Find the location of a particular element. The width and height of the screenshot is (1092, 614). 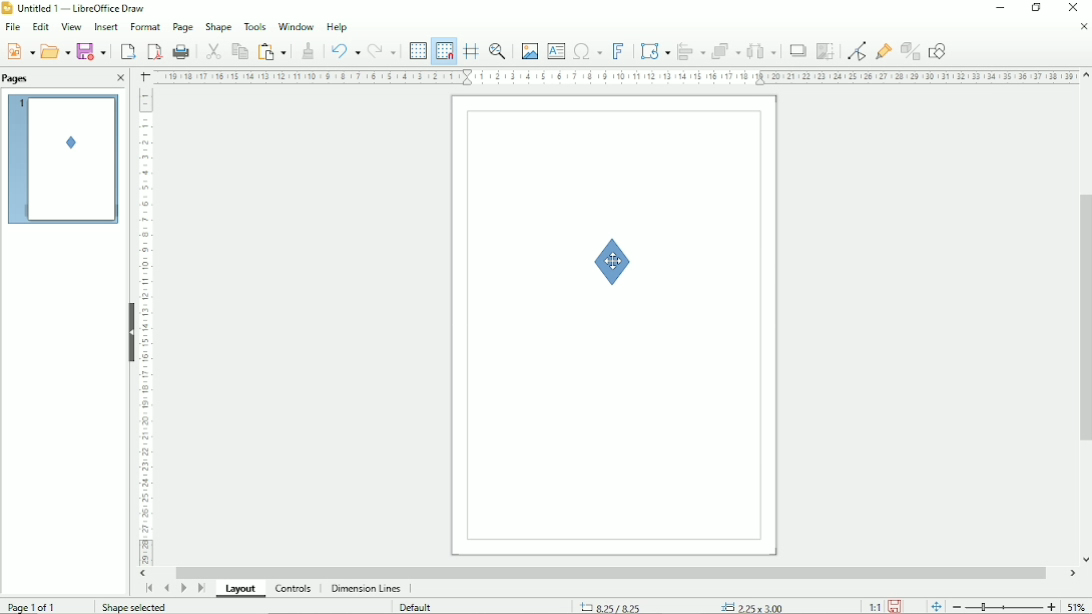

Scroll to previous page is located at coordinates (166, 588).